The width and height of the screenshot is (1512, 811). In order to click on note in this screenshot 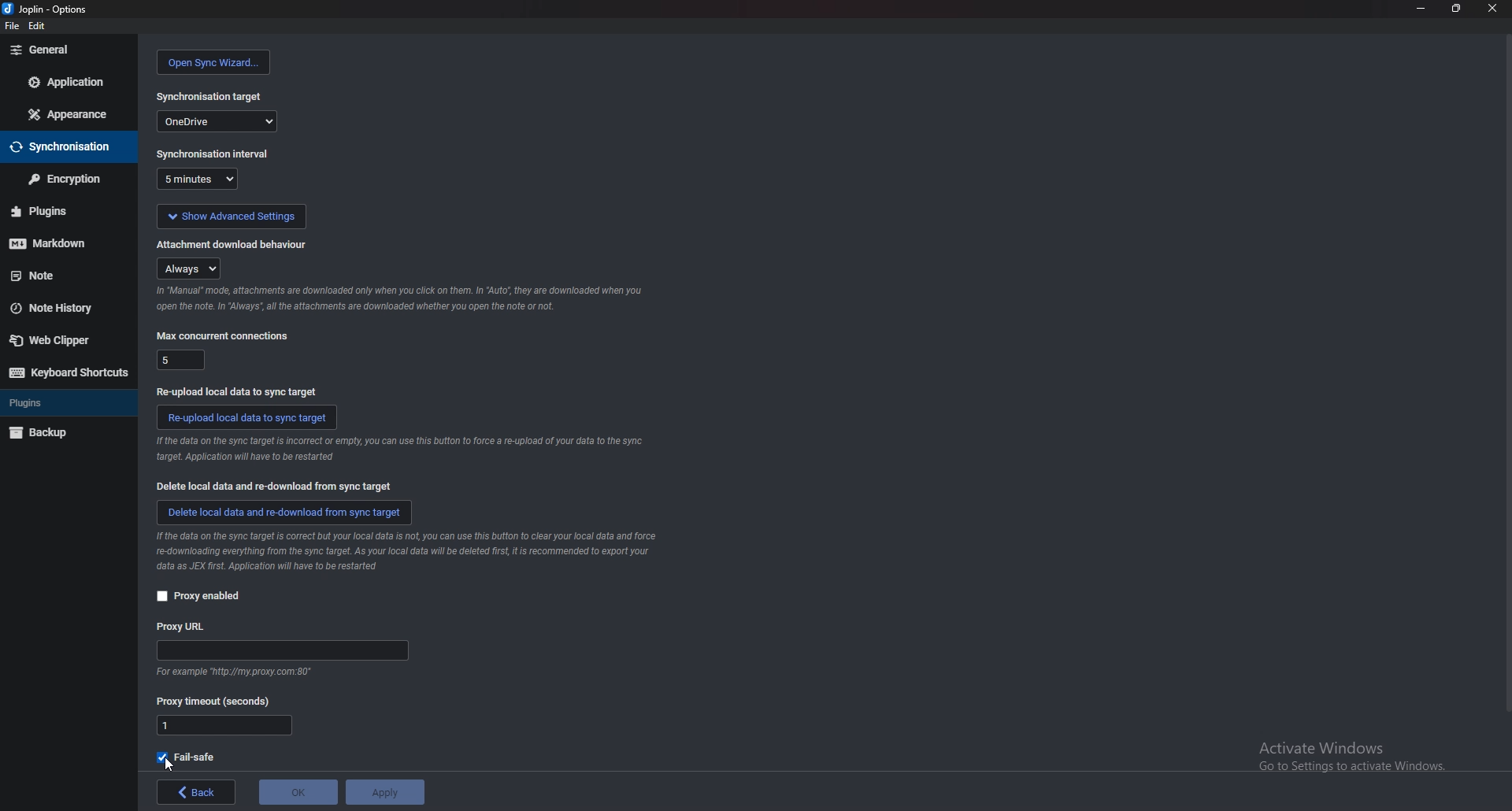, I will do `click(61, 276)`.